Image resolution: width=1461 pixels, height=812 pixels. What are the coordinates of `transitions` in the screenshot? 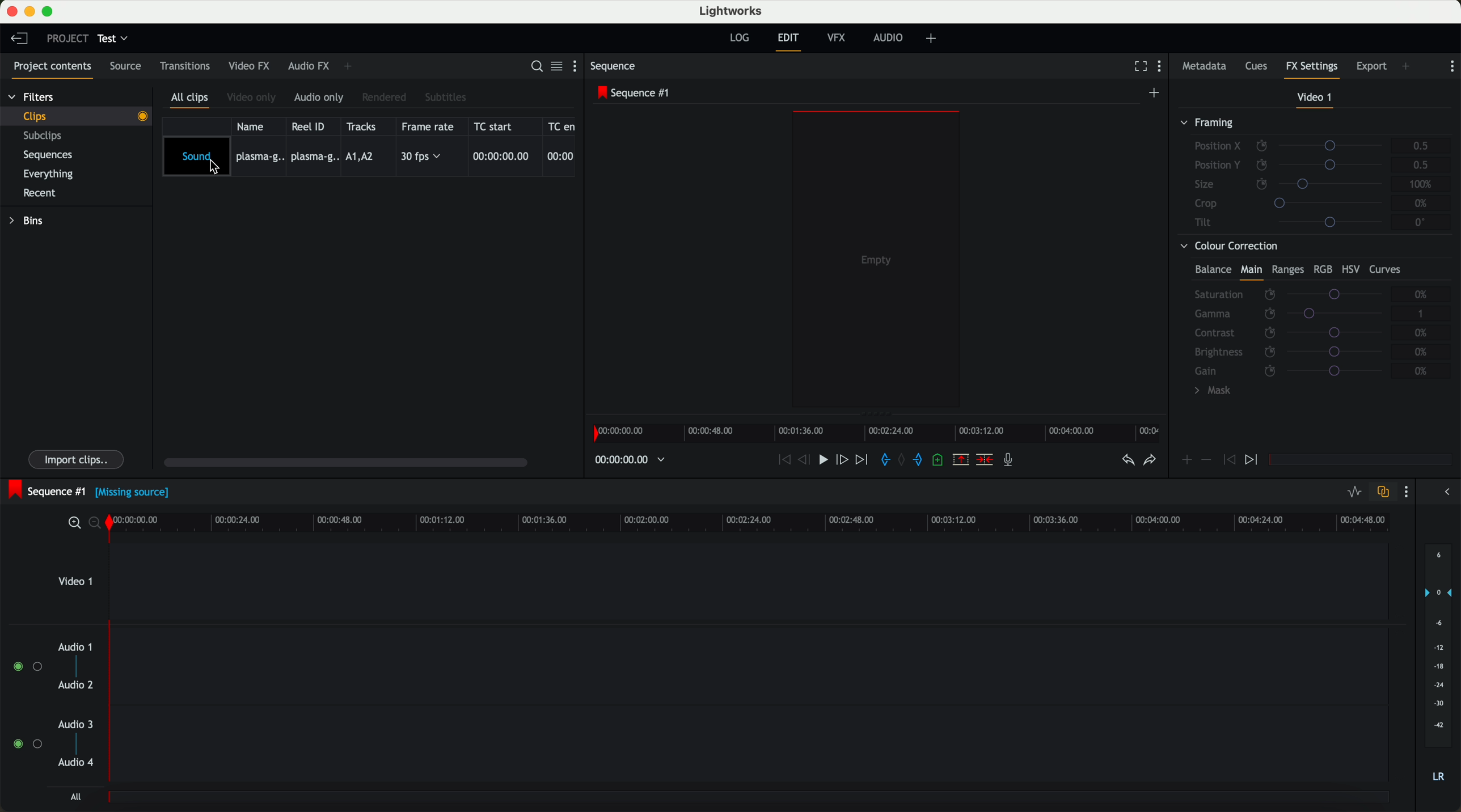 It's located at (185, 68).